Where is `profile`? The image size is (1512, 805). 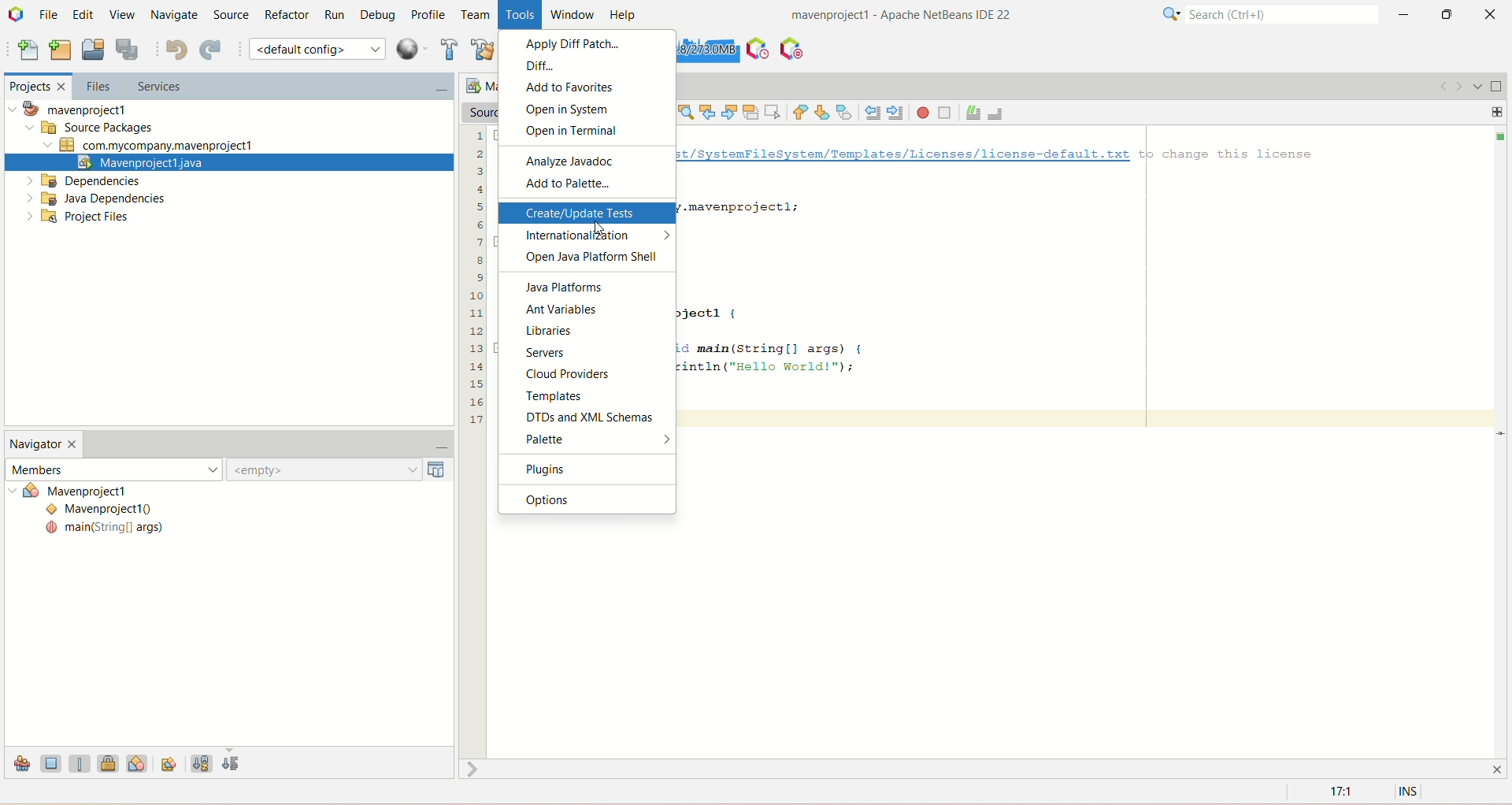
profile is located at coordinates (431, 14).